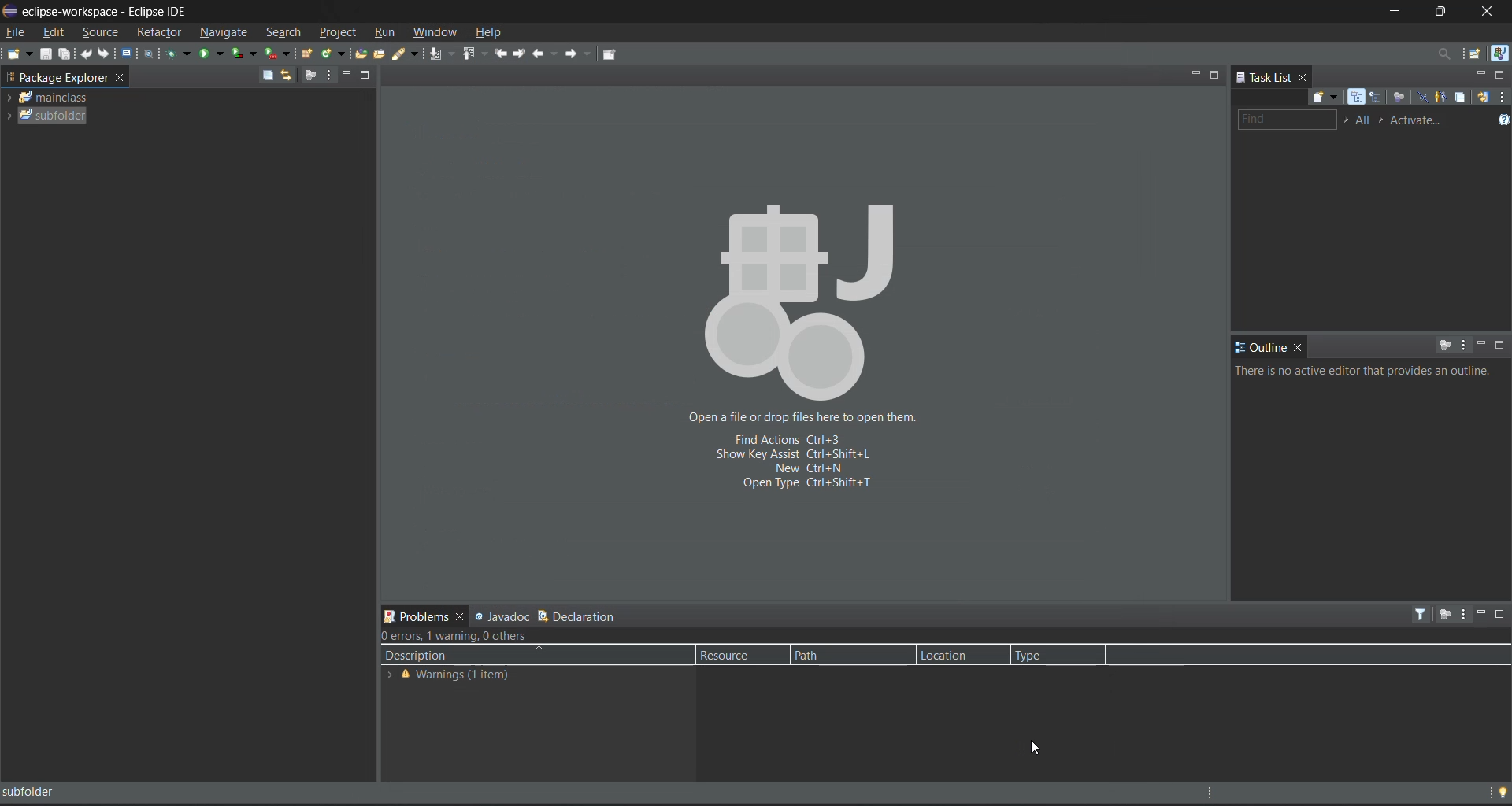 The image size is (1512, 806). Describe the element at coordinates (88, 53) in the screenshot. I see `undo` at that location.